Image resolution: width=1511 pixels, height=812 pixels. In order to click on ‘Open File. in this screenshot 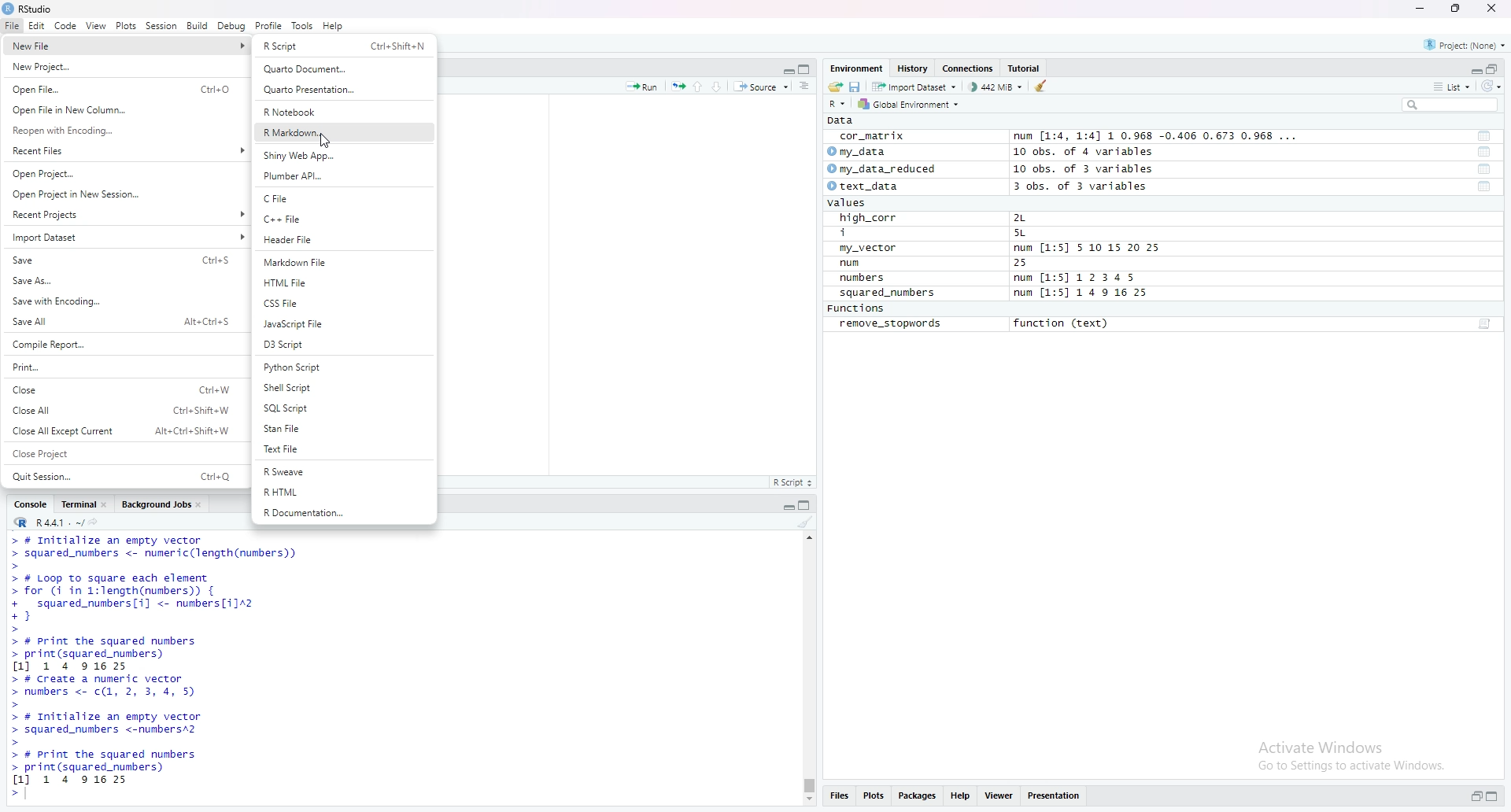, I will do `click(118, 87)`.